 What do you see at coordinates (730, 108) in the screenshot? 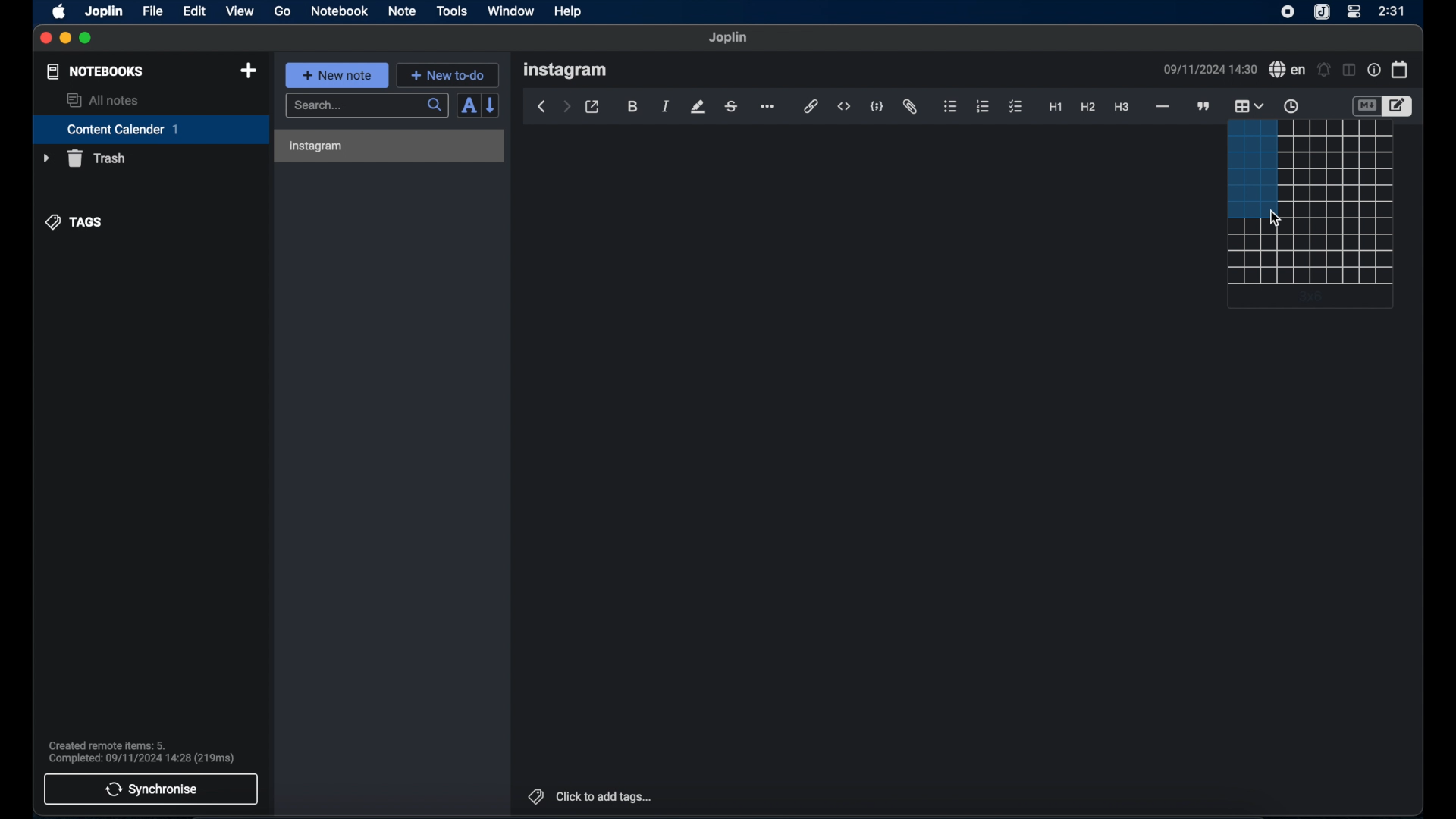
I see `strikethrough` at bounding box center [730, 108].